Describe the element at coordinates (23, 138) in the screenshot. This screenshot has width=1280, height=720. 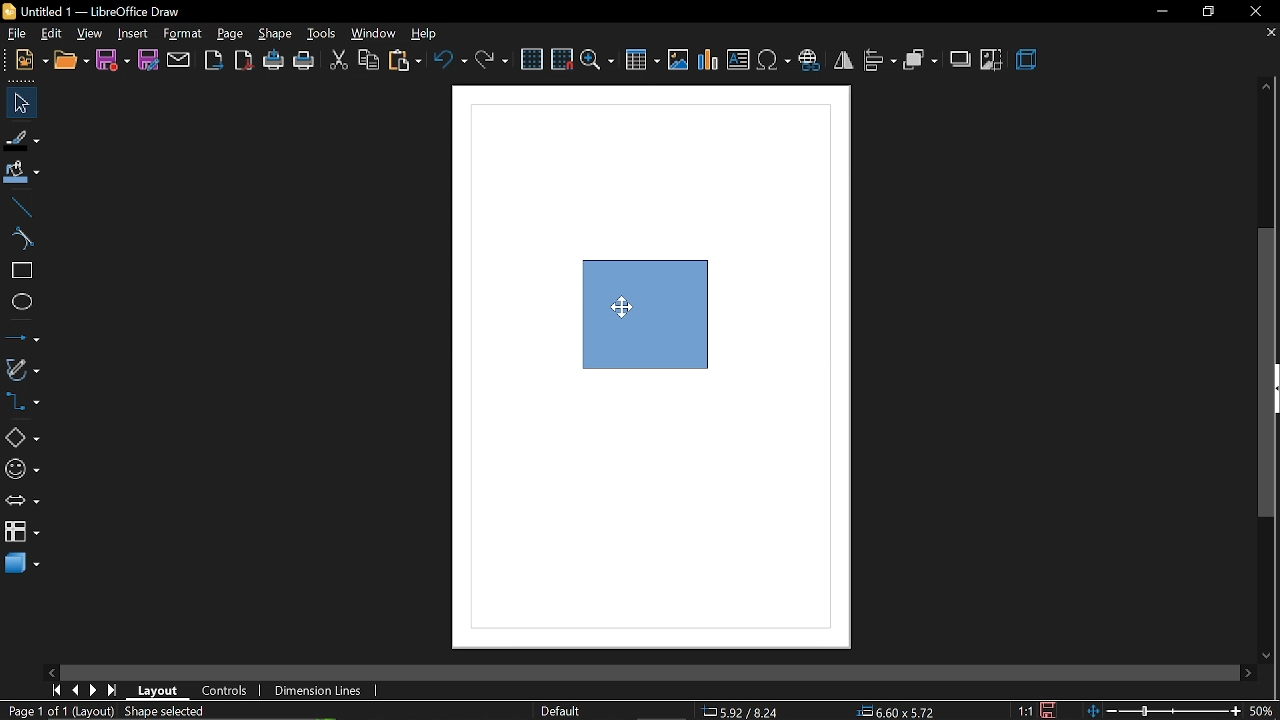
I see `fill line` at that location.